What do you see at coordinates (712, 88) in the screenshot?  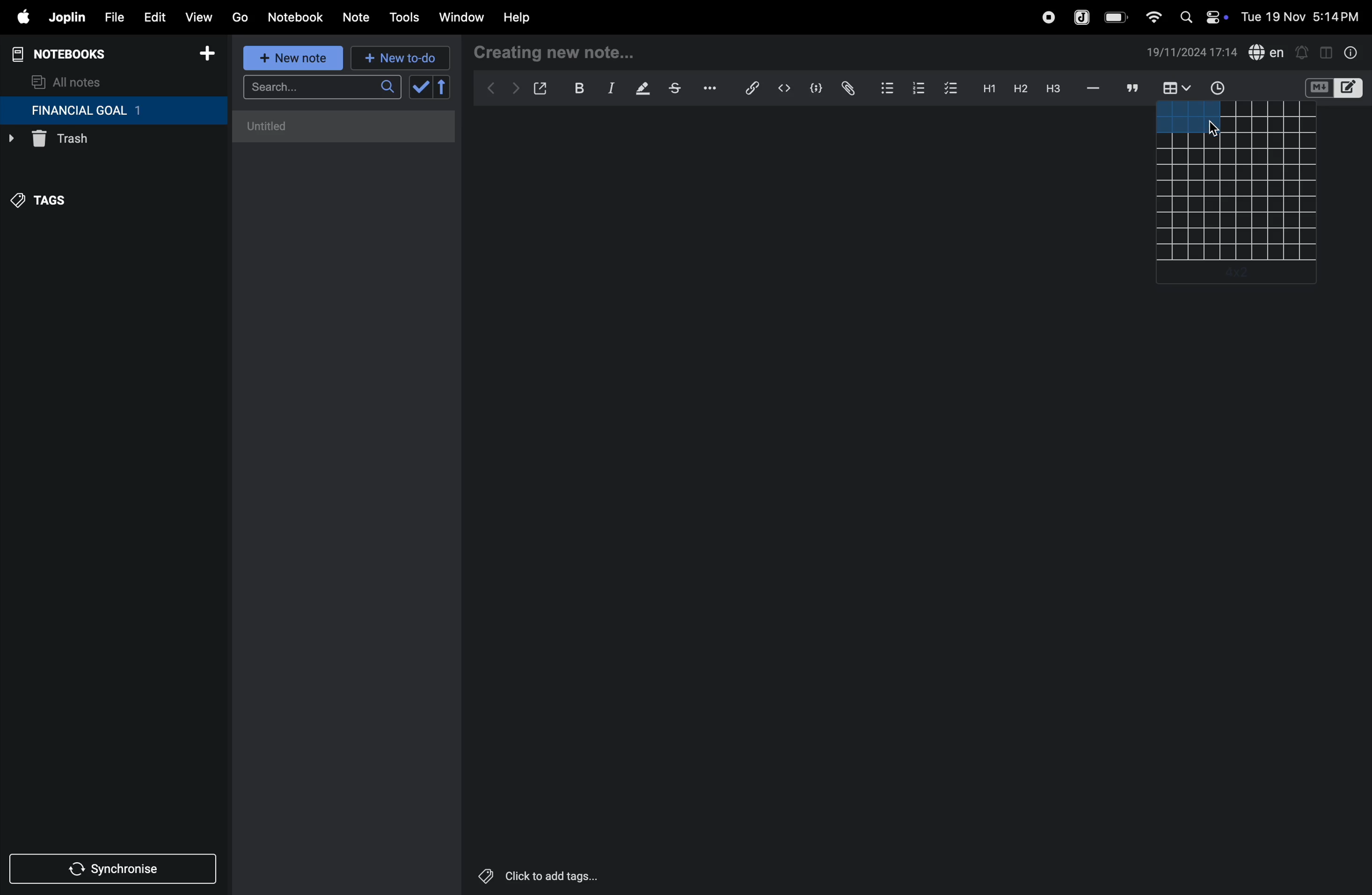 I see `options` at bounding box center [712, 88].